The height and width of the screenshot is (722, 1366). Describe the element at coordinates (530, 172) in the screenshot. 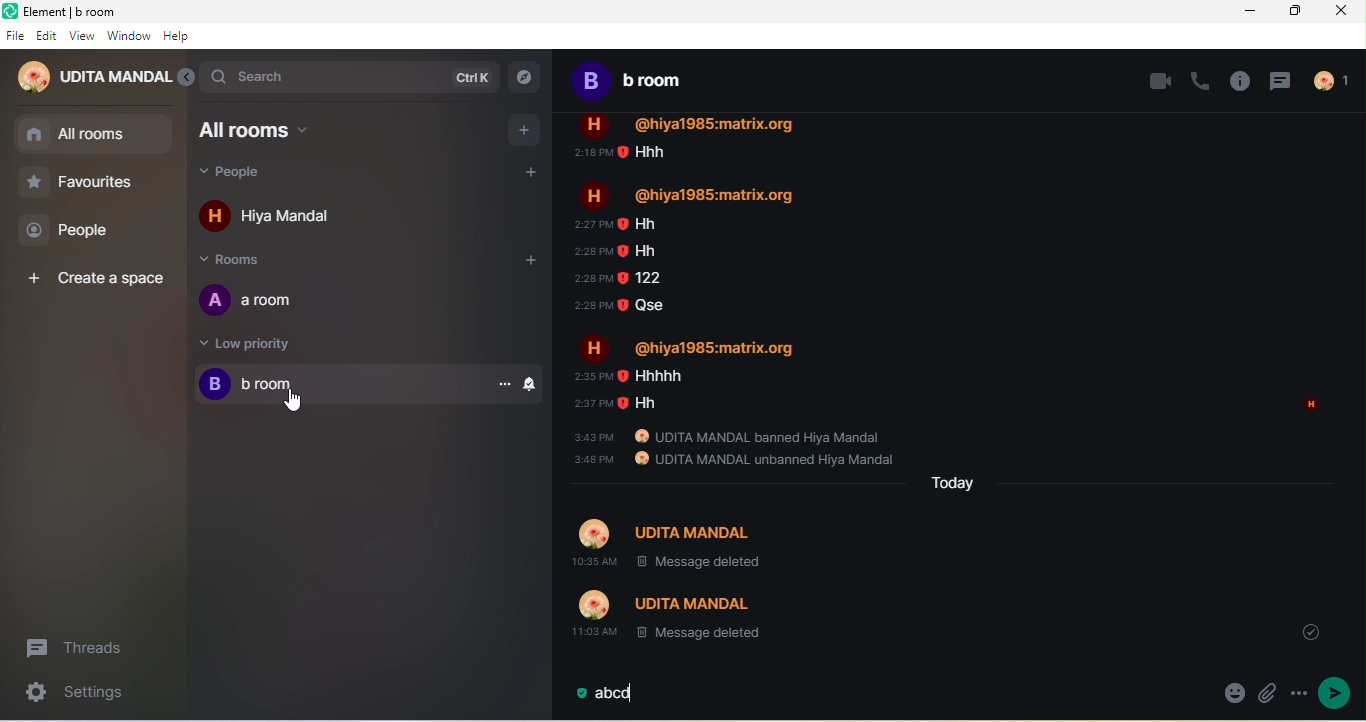

I see `add people` at that location.